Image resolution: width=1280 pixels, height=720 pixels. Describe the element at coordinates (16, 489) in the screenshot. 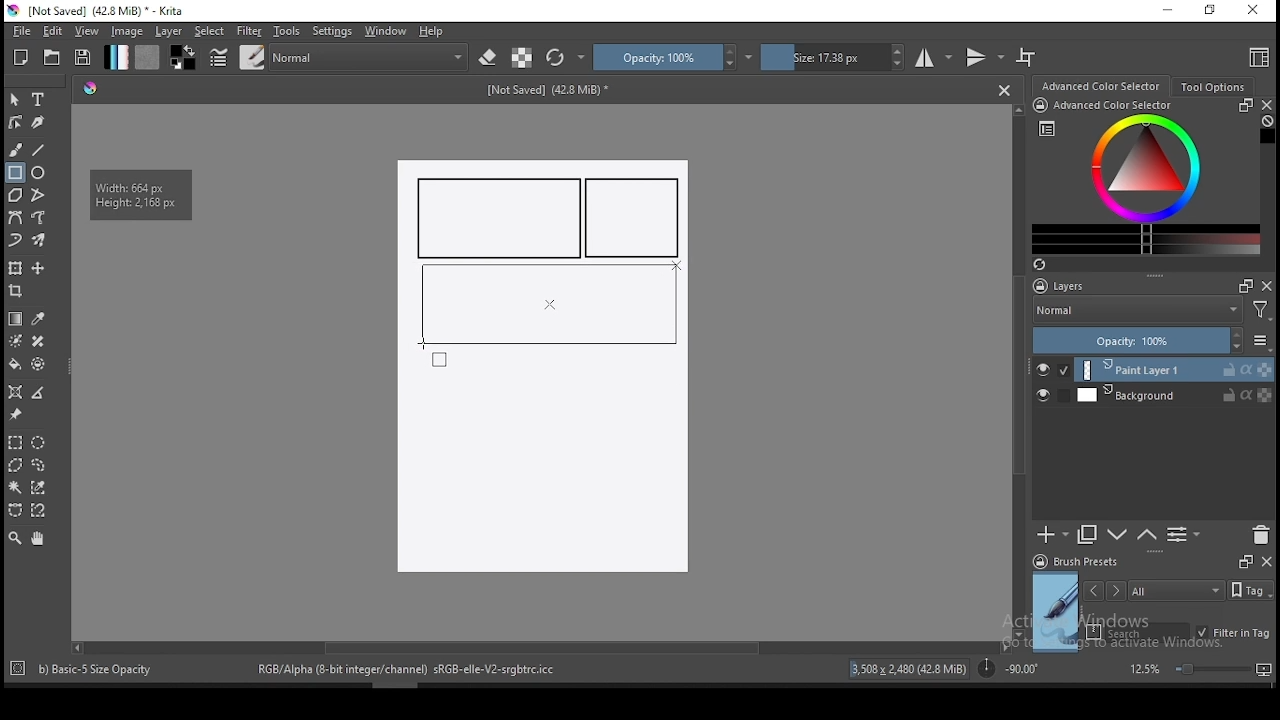

I see `contiguous selection tool` at that location.